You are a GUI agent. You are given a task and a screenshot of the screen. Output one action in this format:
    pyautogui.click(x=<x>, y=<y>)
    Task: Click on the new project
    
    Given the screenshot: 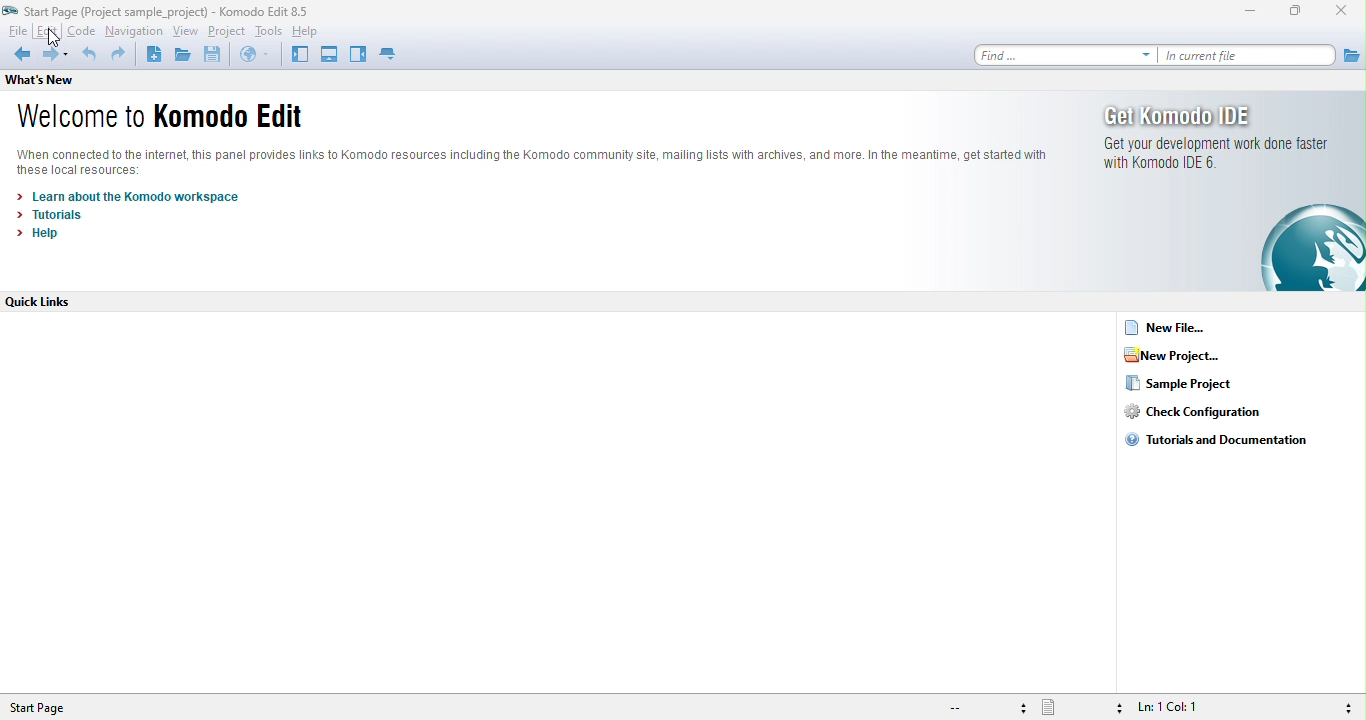 What is the action you would take?
    pyautogui.click(x=1179, y=356)
    